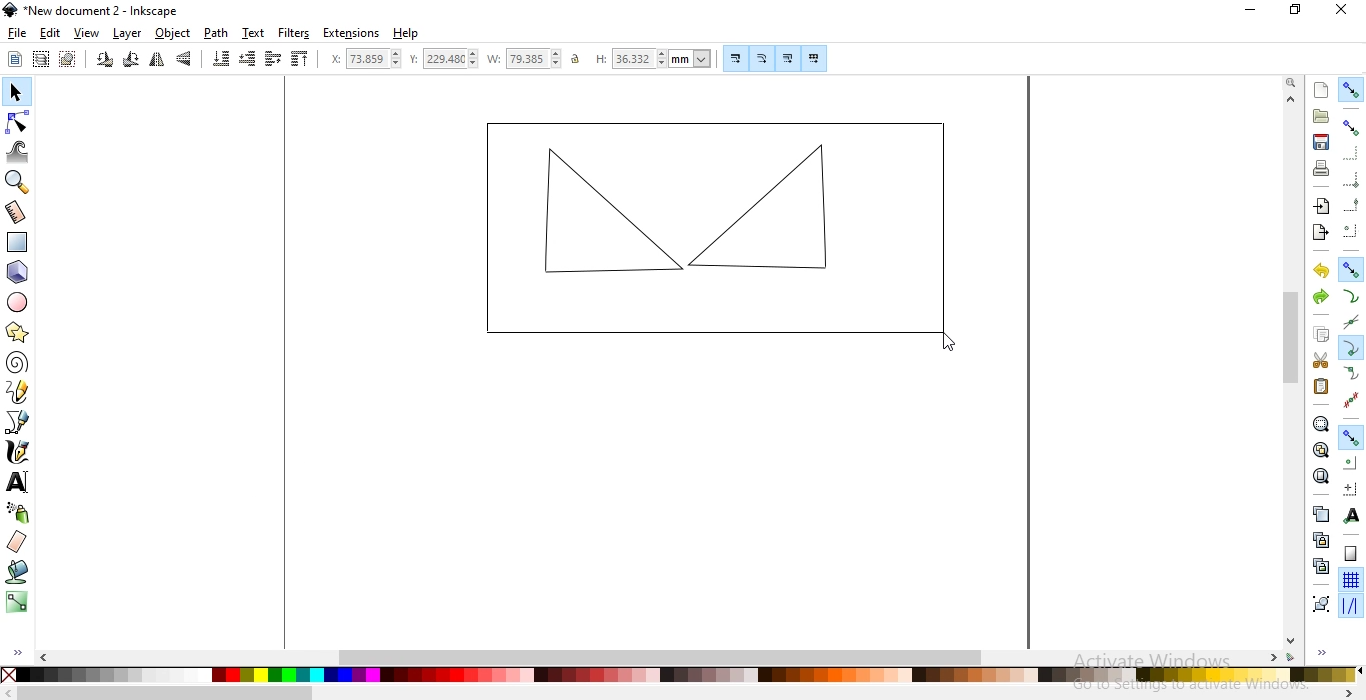  I want to click on close, so click(1340, 14).